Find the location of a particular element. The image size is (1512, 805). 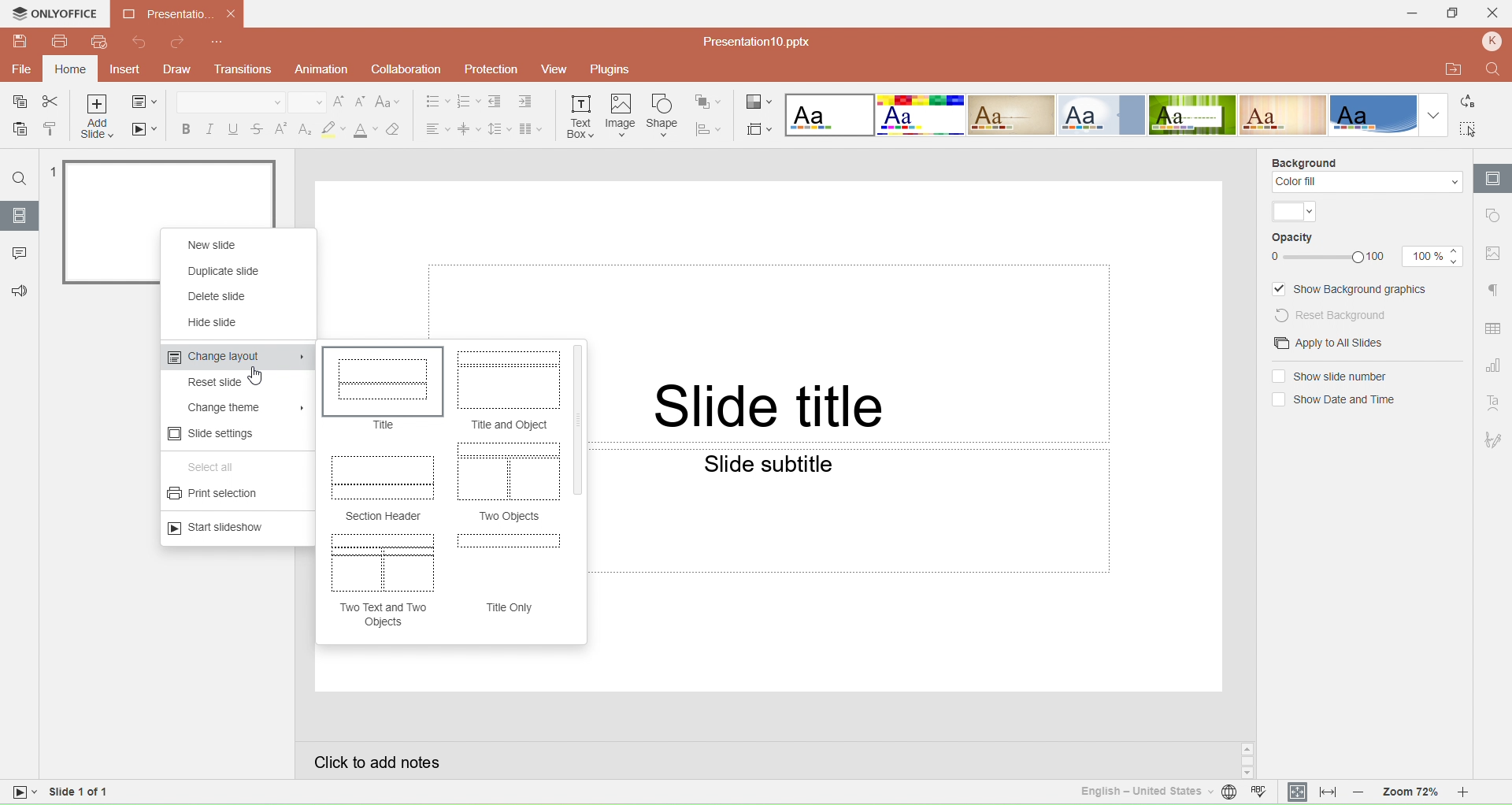

Home is located at coordinates (70, 69).